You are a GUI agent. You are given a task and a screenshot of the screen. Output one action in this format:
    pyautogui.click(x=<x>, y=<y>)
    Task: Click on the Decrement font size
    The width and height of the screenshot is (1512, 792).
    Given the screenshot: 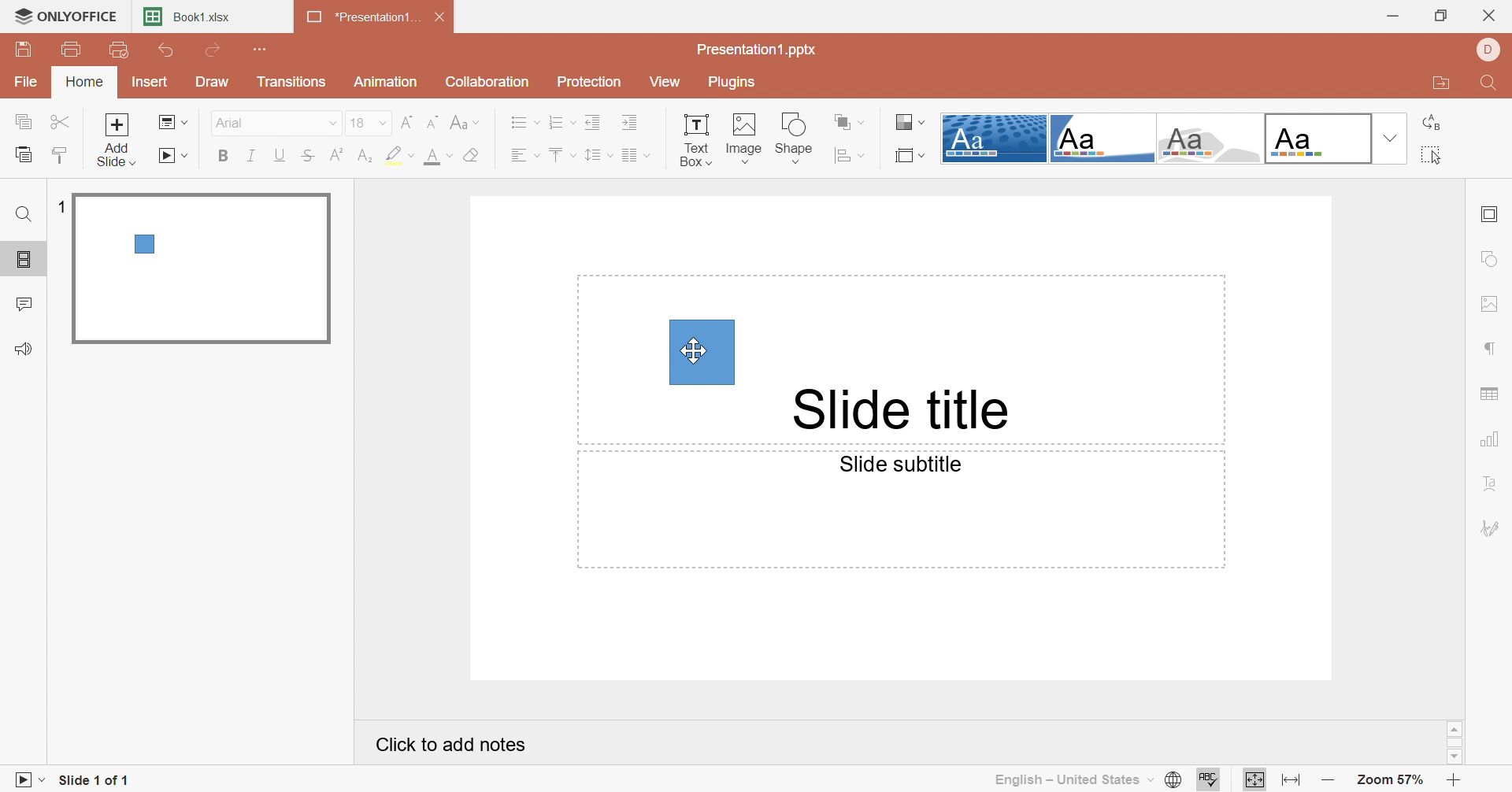 What is the action you would take?
    pyautogui.click(x=432, y=123)
    